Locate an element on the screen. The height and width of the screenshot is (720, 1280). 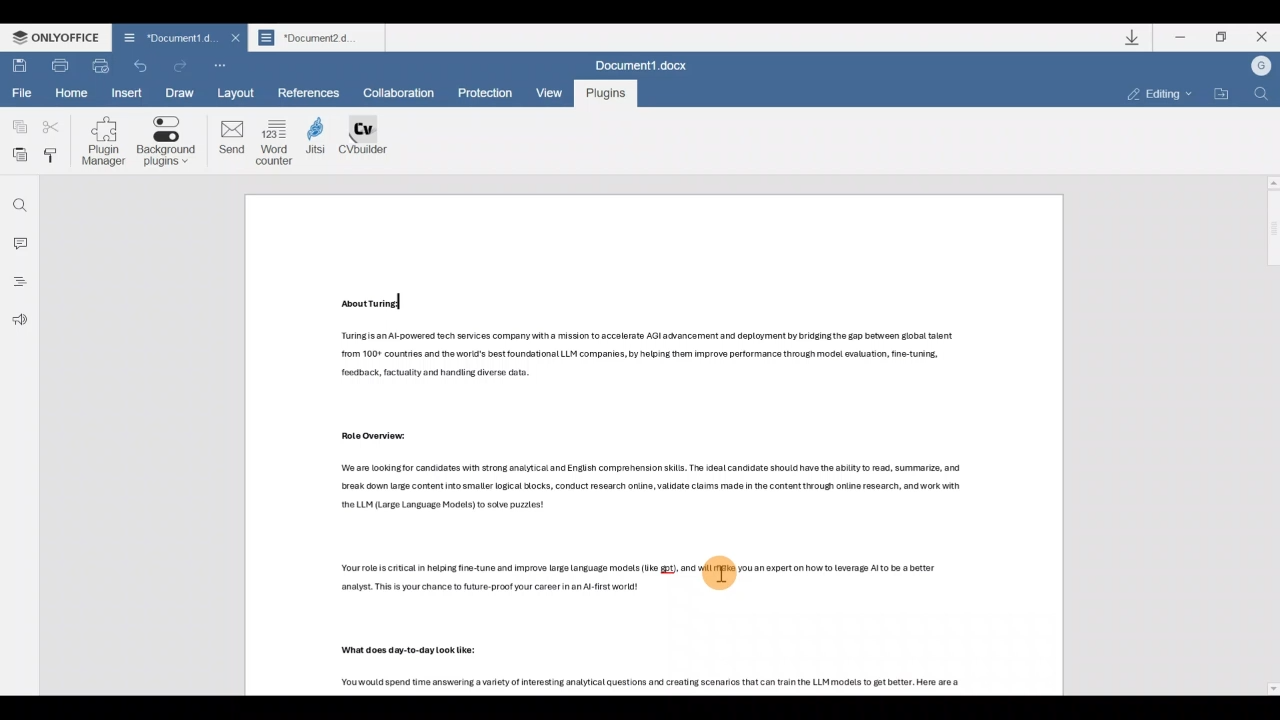
Maximize is located at coordinates (1224, 40).